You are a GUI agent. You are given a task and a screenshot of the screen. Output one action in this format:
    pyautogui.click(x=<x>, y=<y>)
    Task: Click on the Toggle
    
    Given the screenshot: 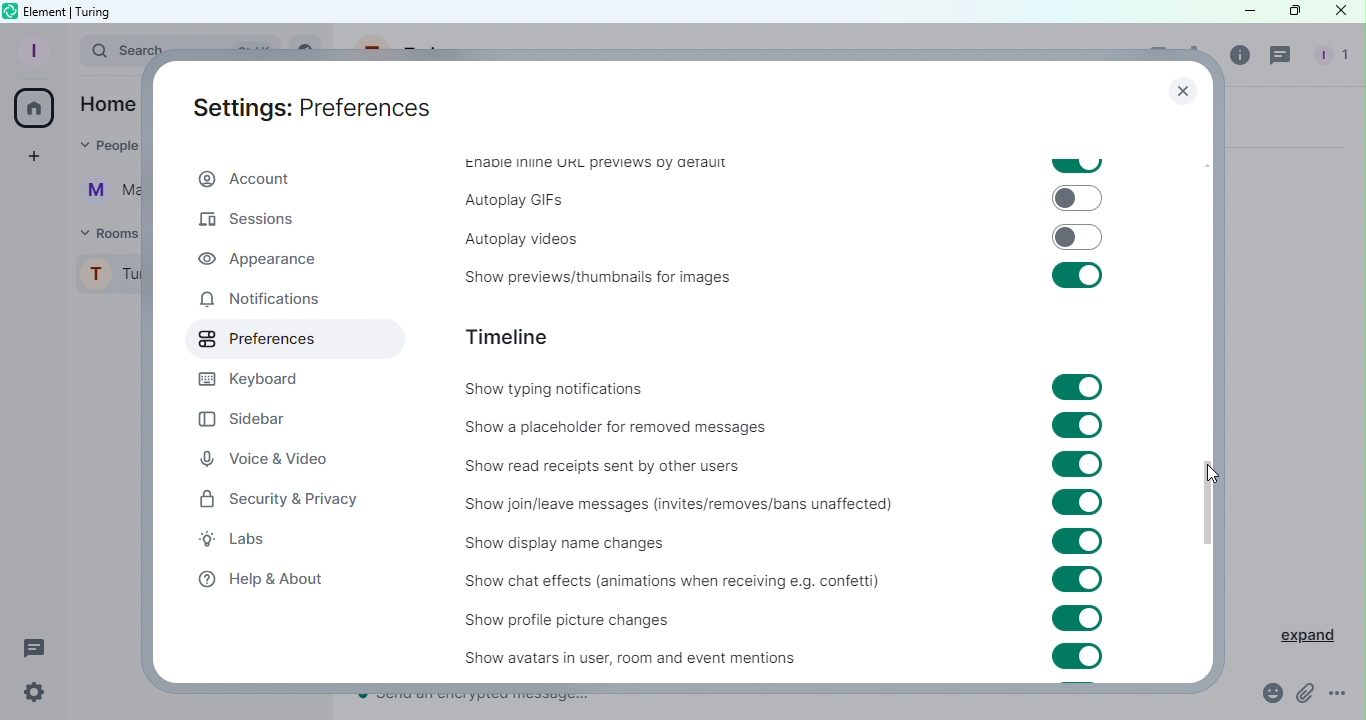 What is the action you would take?
    pyautogui.click(x=1073, y=544)
    